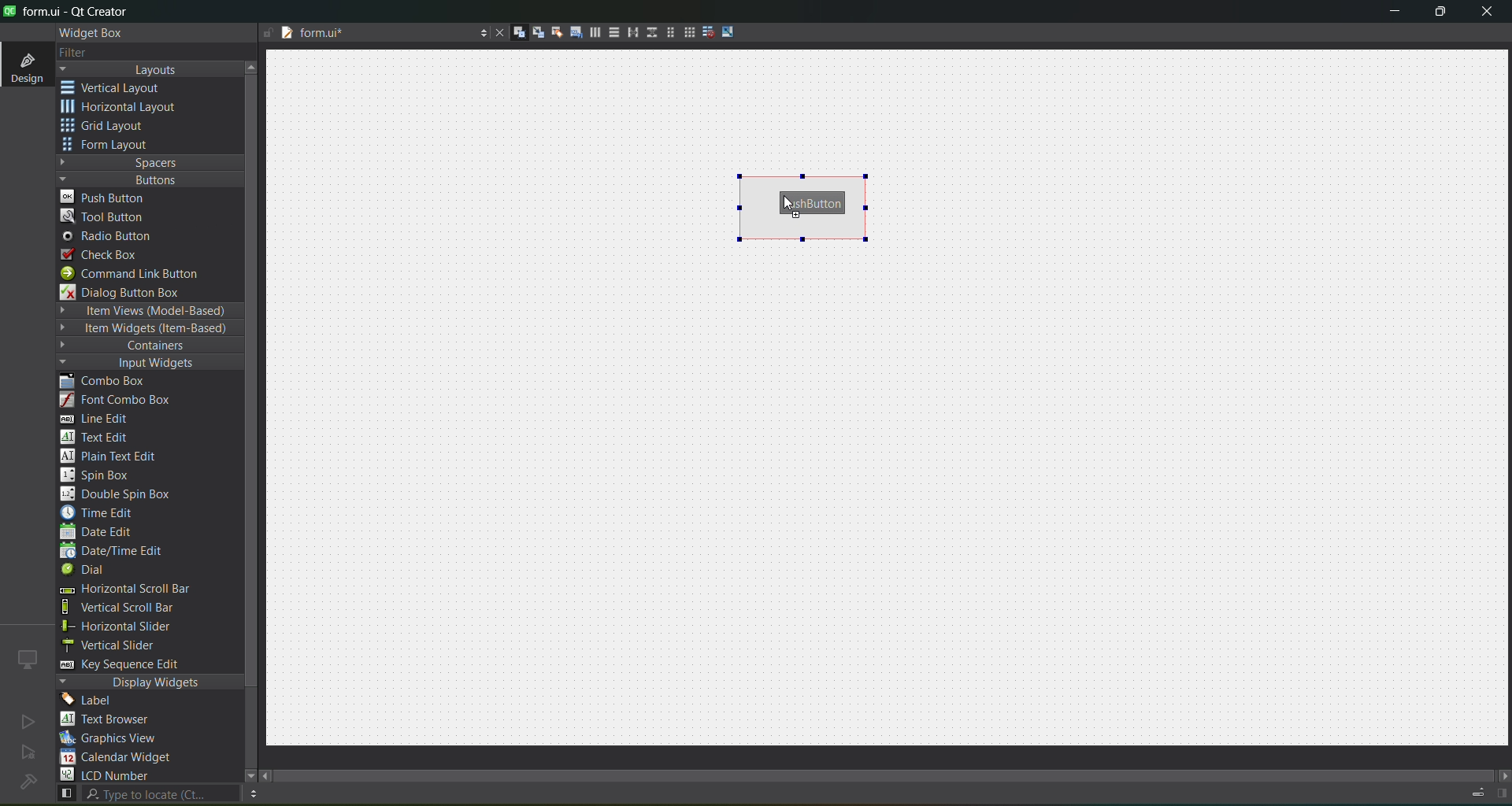  Describe the element at coordinates (148, 312) in the screenshot. I see `item views` at that location.